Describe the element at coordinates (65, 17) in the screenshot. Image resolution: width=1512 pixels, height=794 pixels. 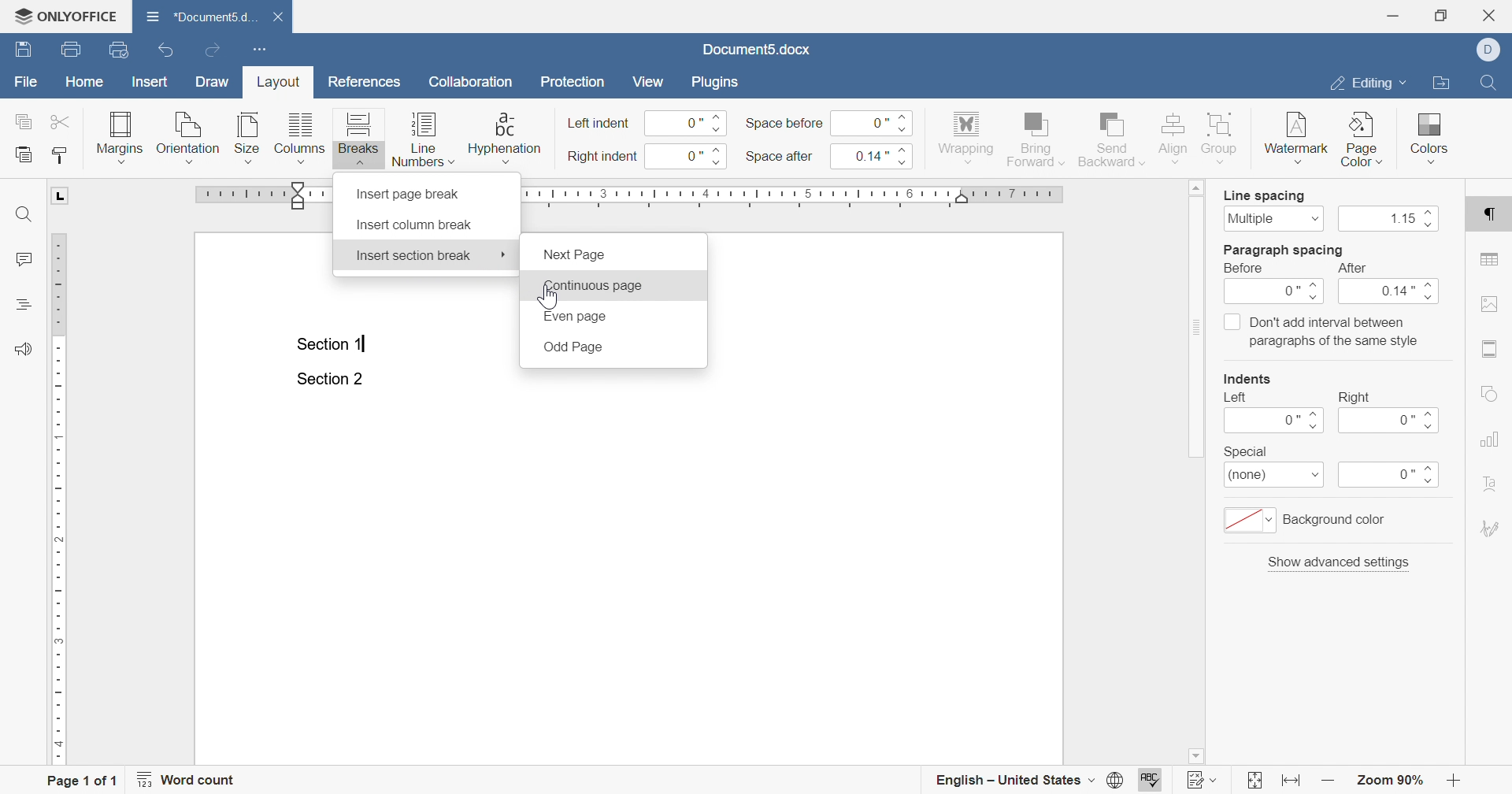
I see `ONLYOFFICE` at that location.